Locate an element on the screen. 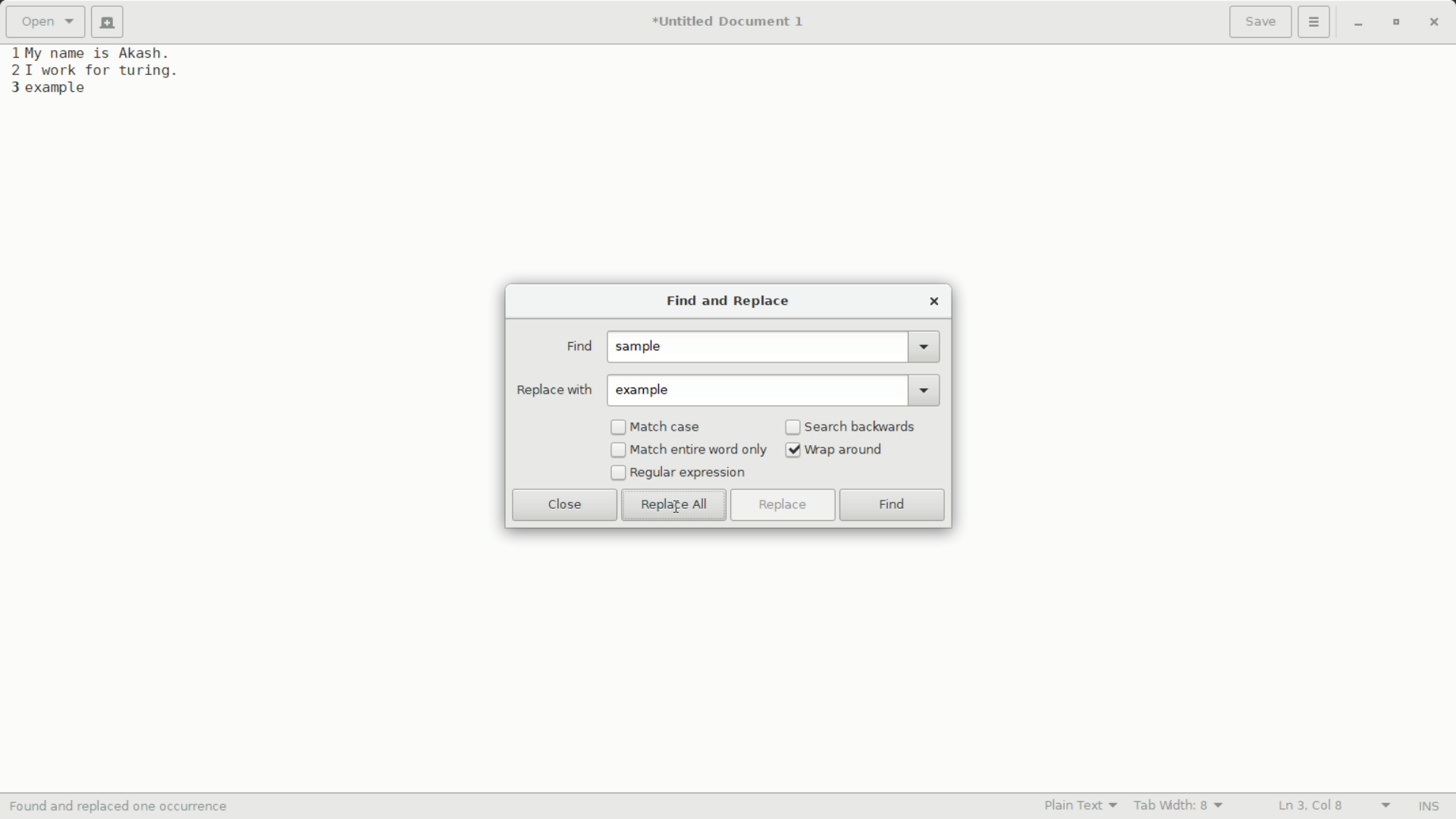 The width and height of the screenshot is (1456, 819). tab width is located at coordinates (1179, 805).